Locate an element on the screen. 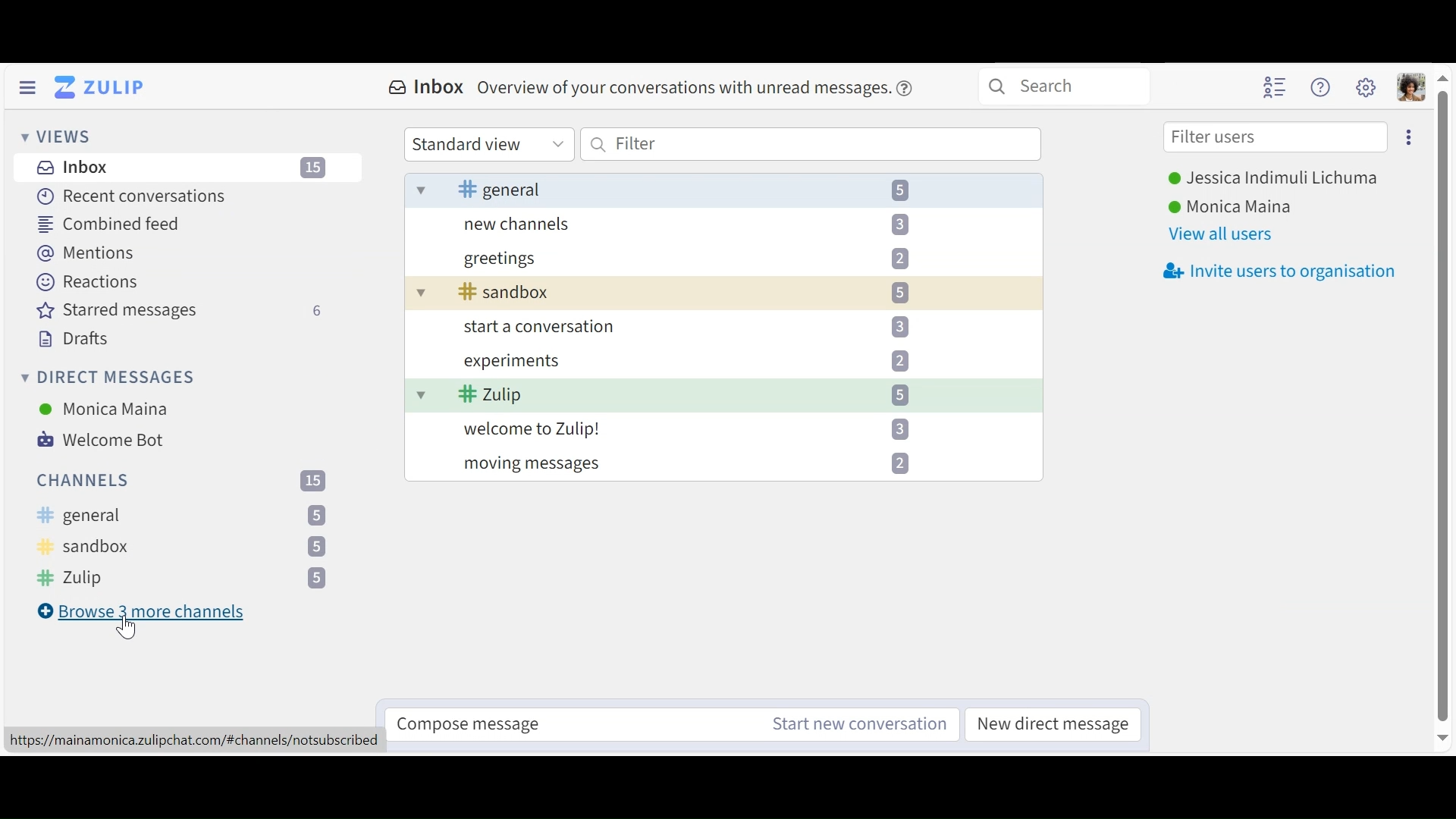 This screenshot has height=819, width=1456. Cursor is located at coordinates (129, 633).